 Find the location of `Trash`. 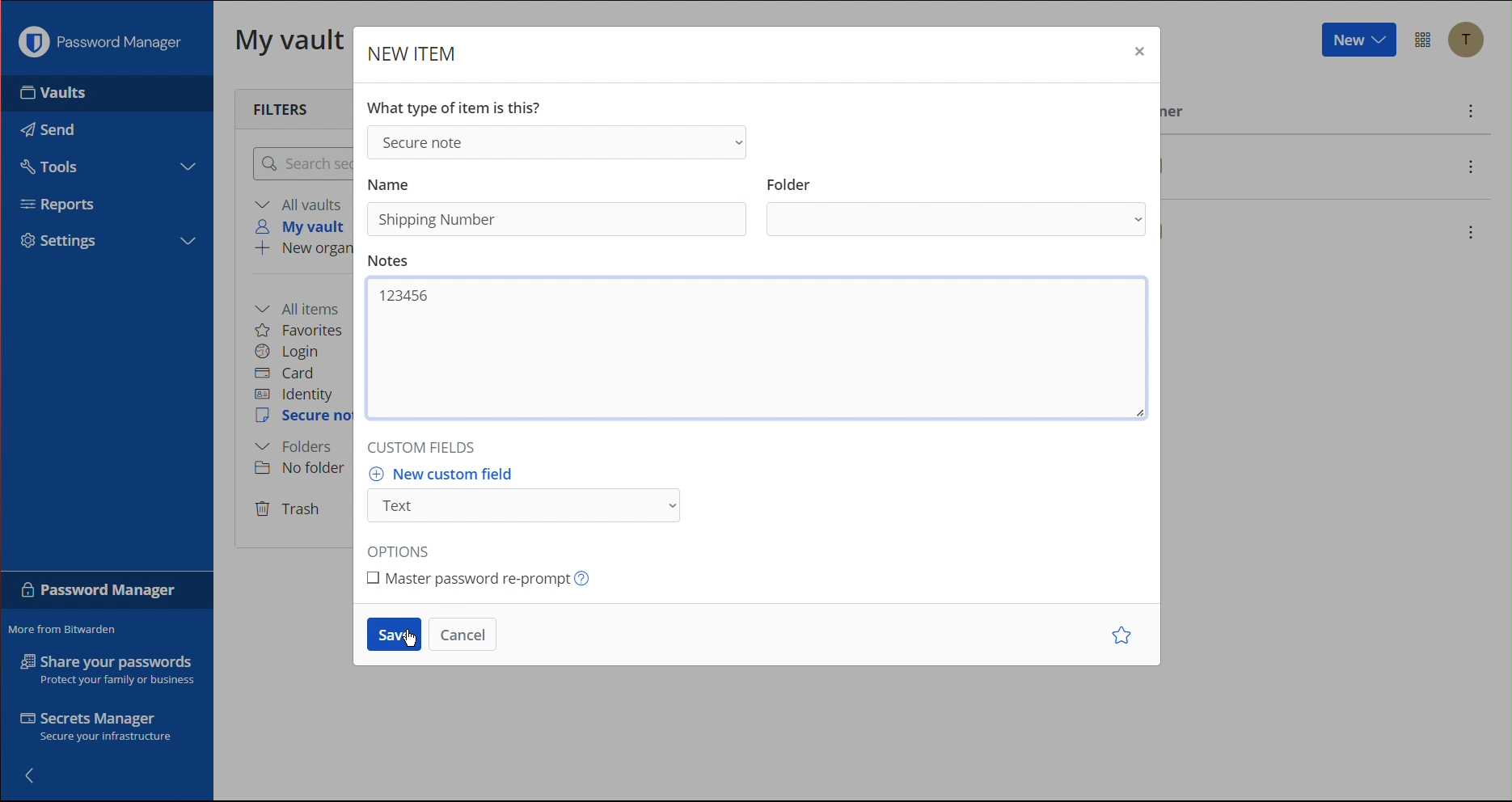

Trash is located at coordinates (290, 510).